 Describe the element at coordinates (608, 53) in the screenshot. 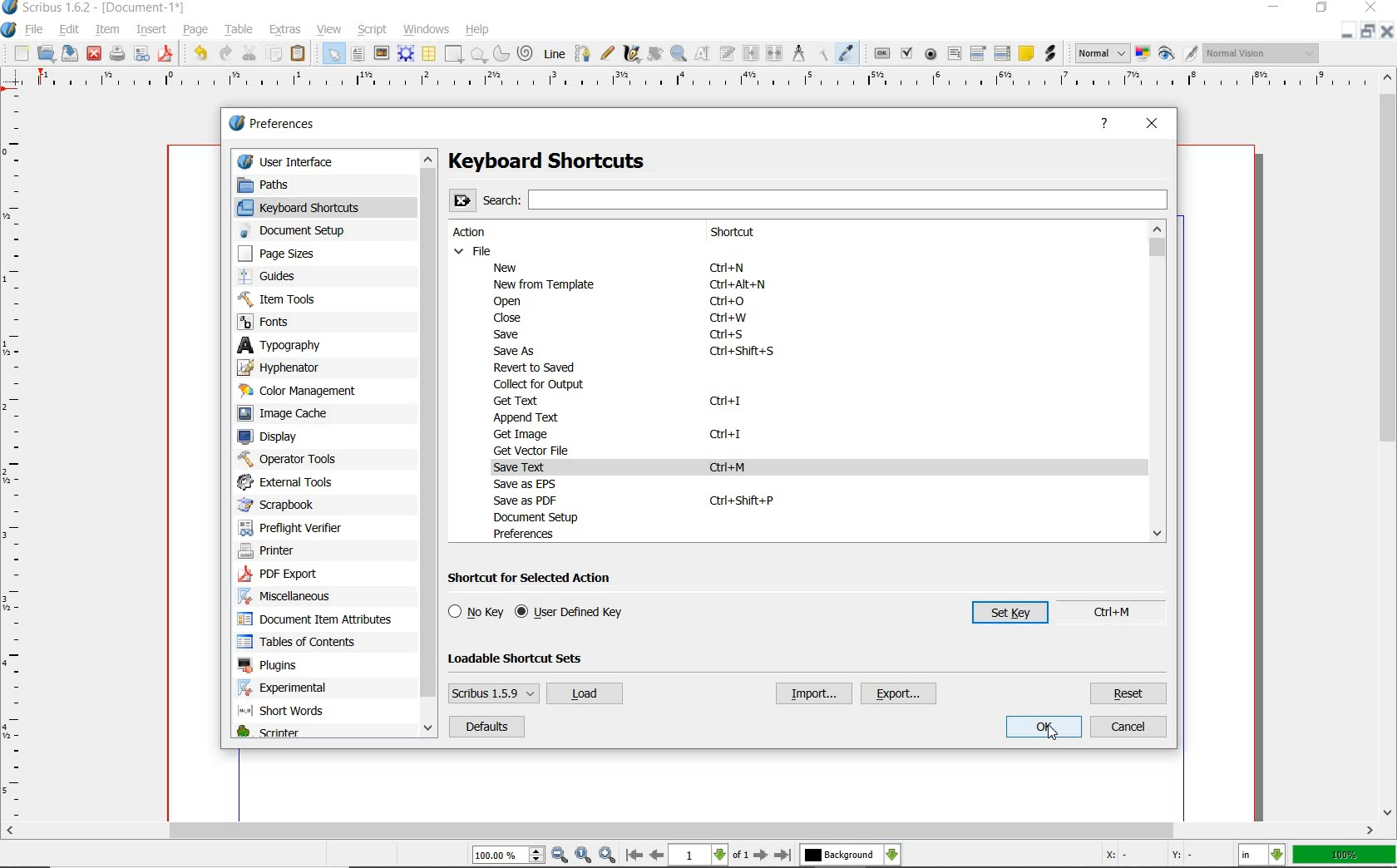

I see `freehand line` at that location.